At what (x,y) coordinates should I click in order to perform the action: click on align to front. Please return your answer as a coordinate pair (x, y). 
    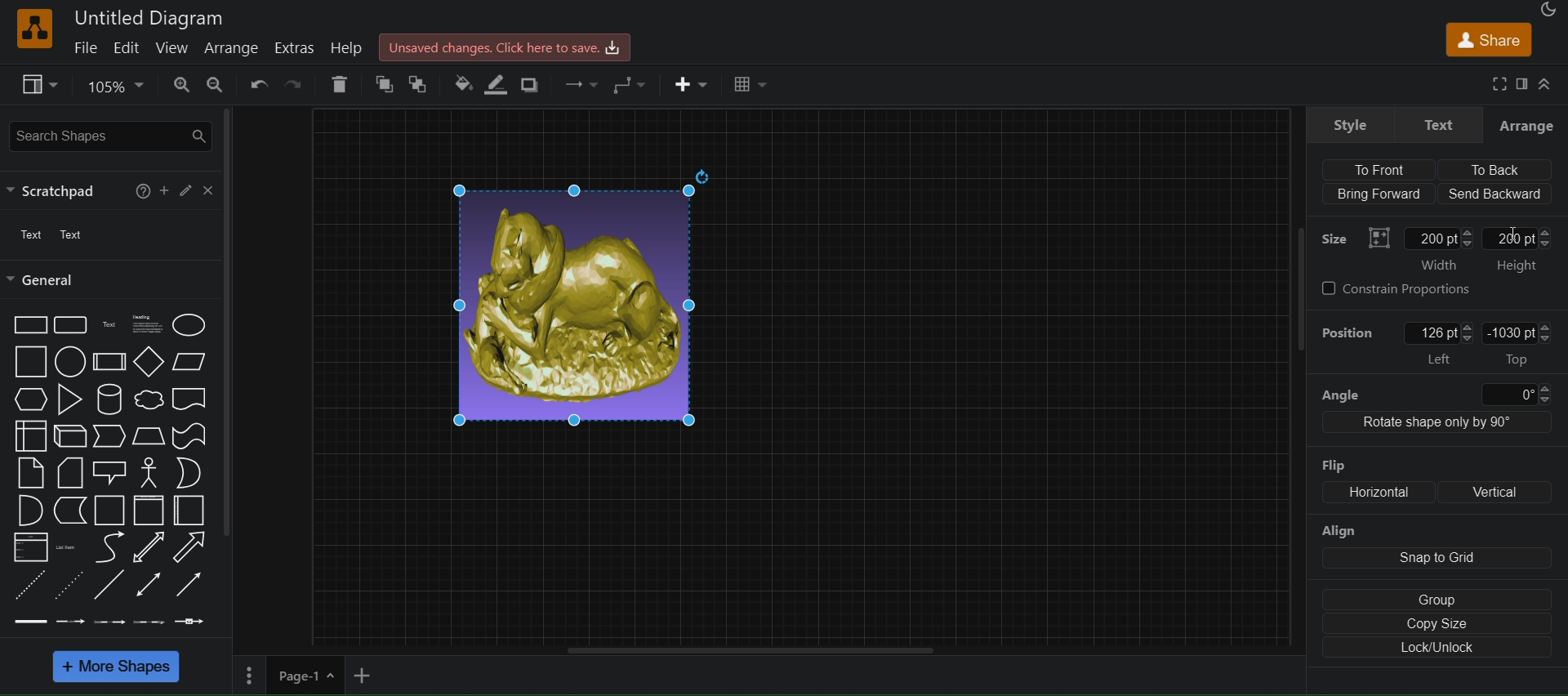
    Looking at the image, I should click on (1388, 168).